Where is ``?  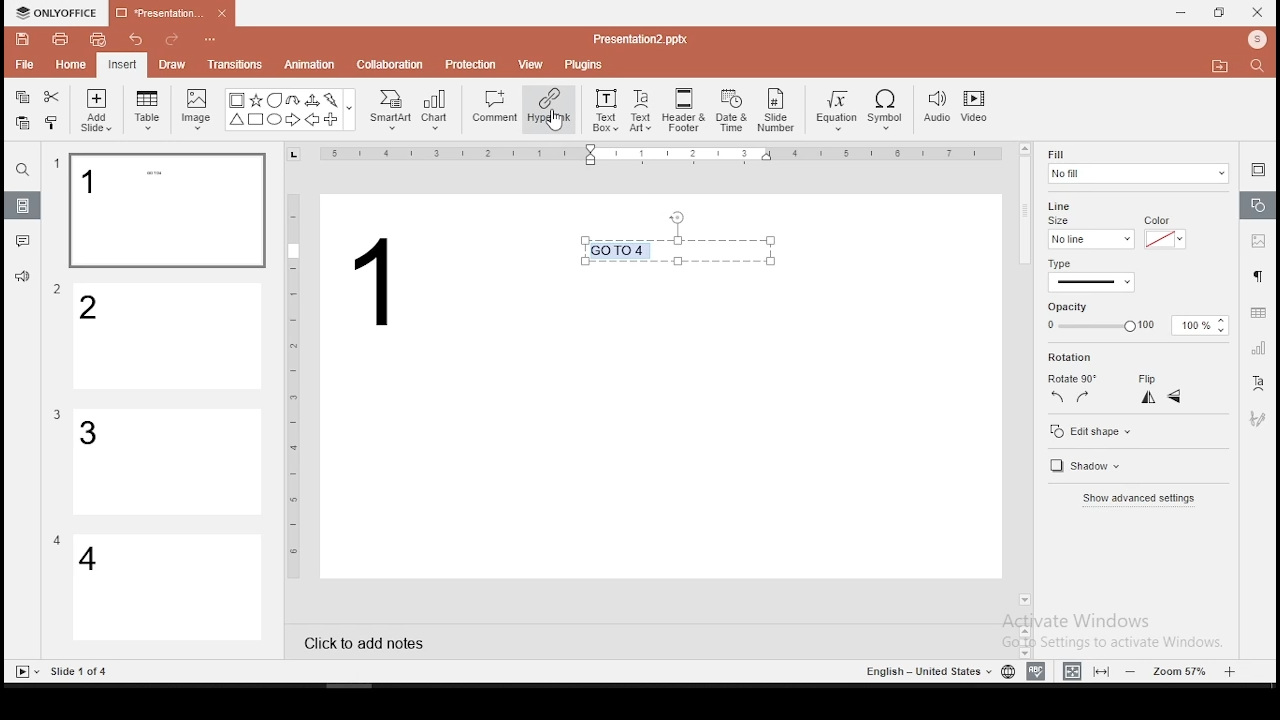
 is located at coordinates (81, 672).